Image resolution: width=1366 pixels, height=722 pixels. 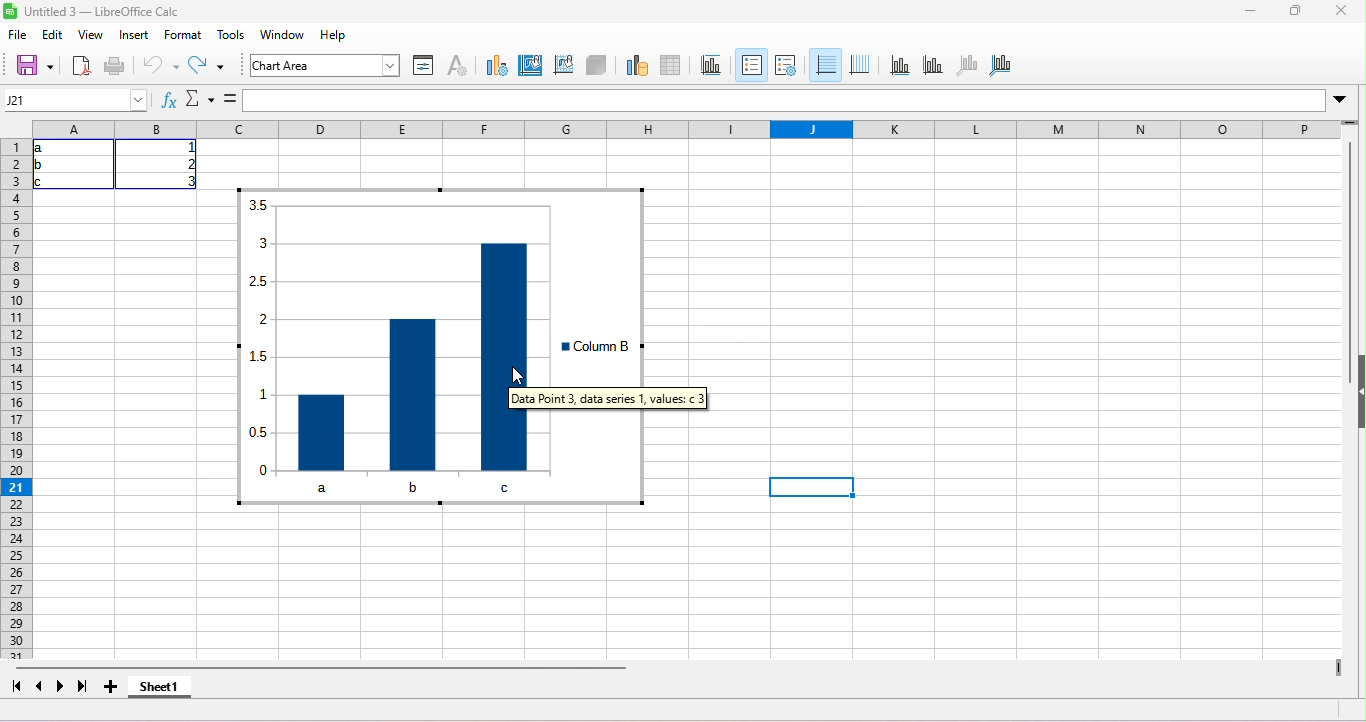 I want to click on character, so click(x=461, y=67).